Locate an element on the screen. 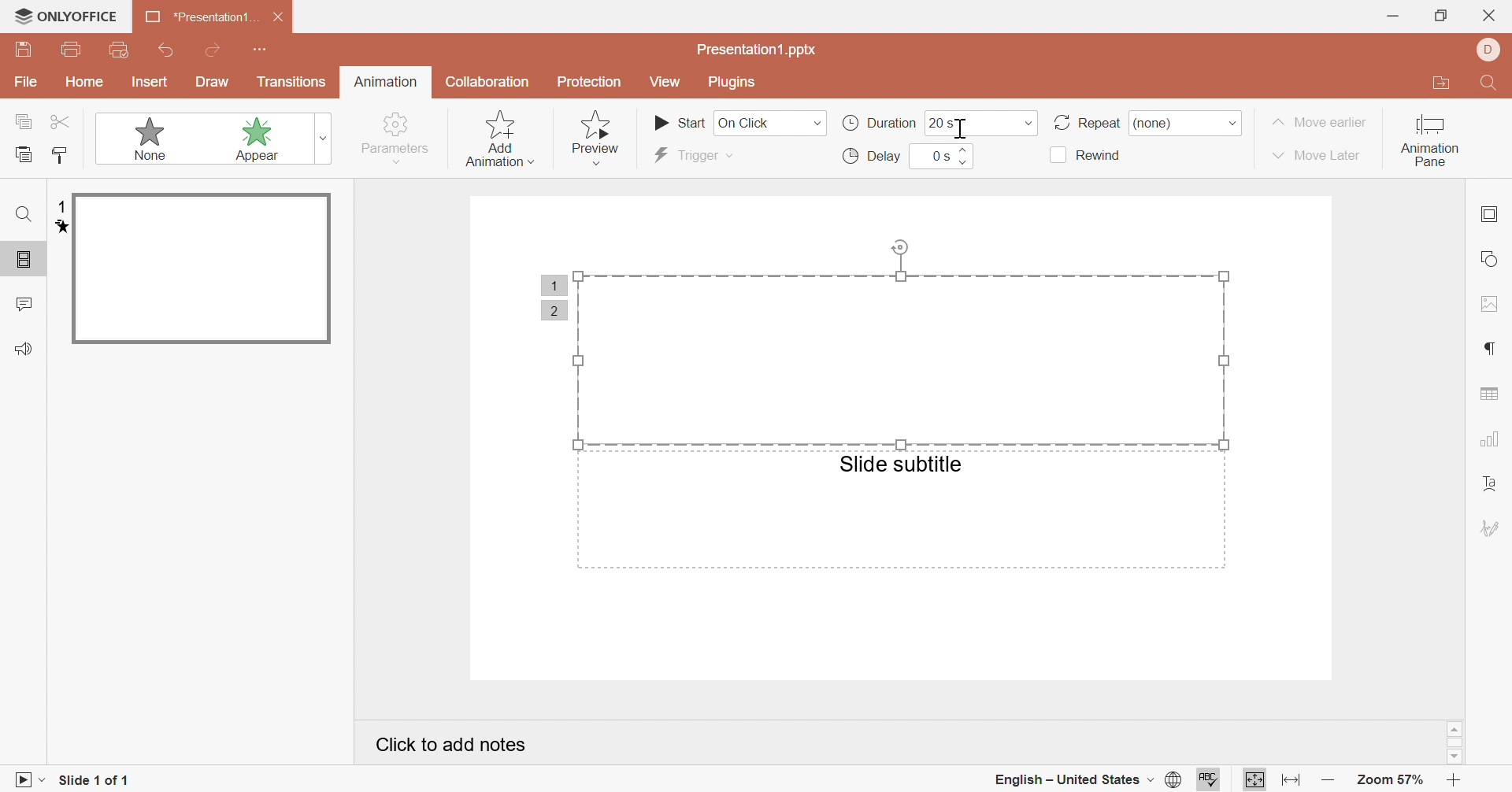  fit to page is located at coordinates (1255, 782).